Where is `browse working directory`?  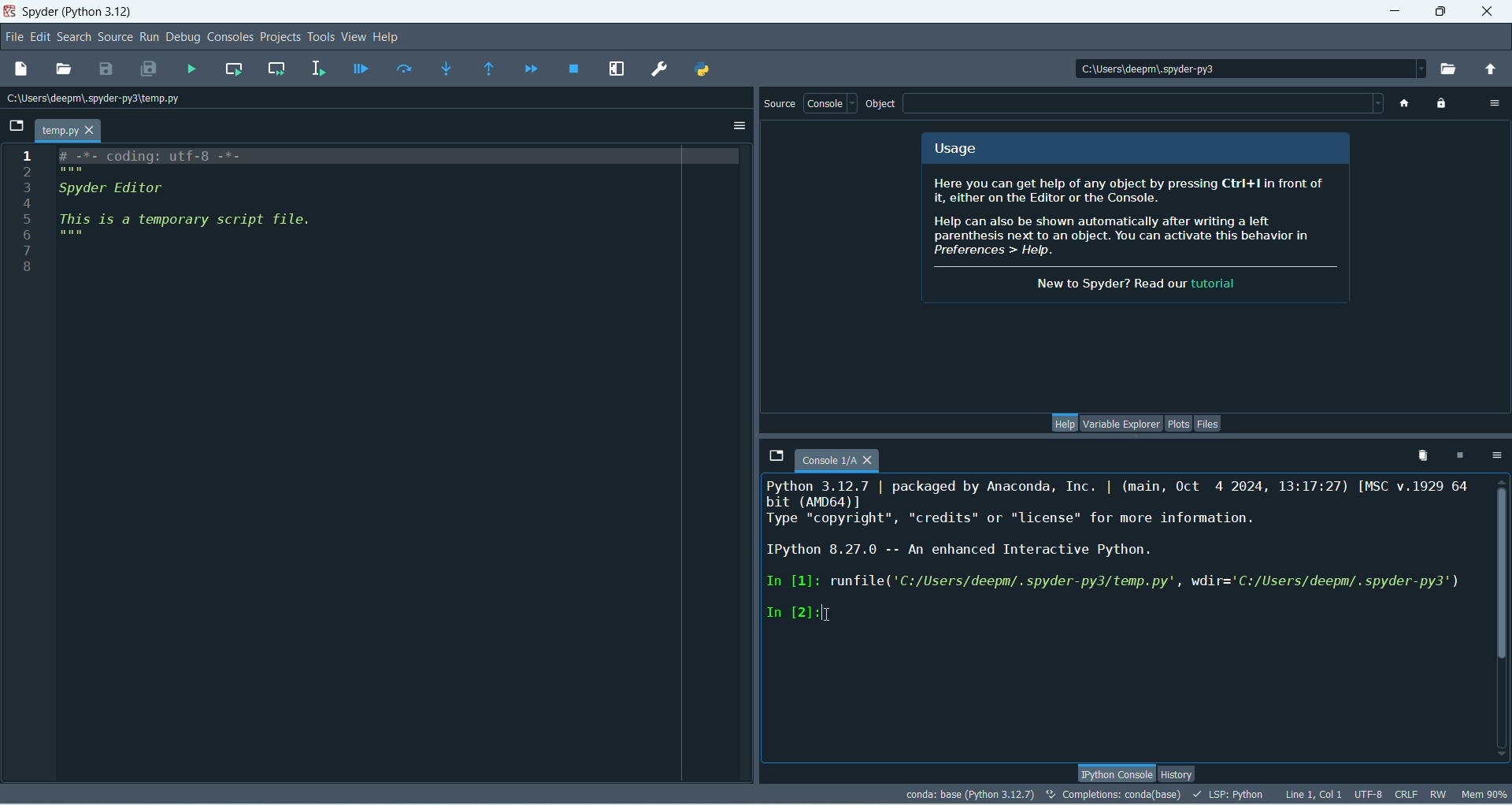
browse working directory is located at coordinates (1453, 70).